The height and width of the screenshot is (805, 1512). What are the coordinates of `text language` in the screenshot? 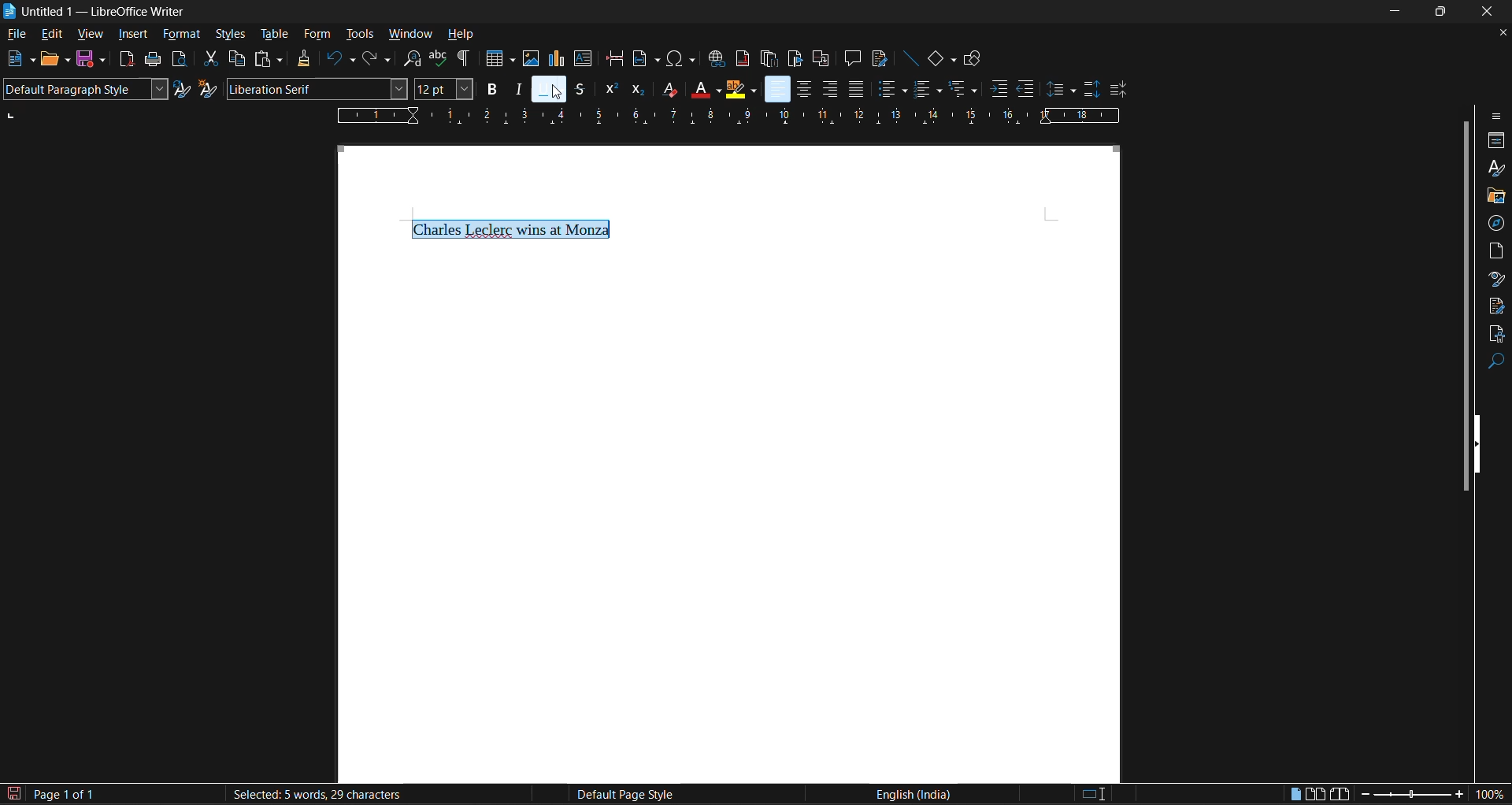 It's located at (911, 793).